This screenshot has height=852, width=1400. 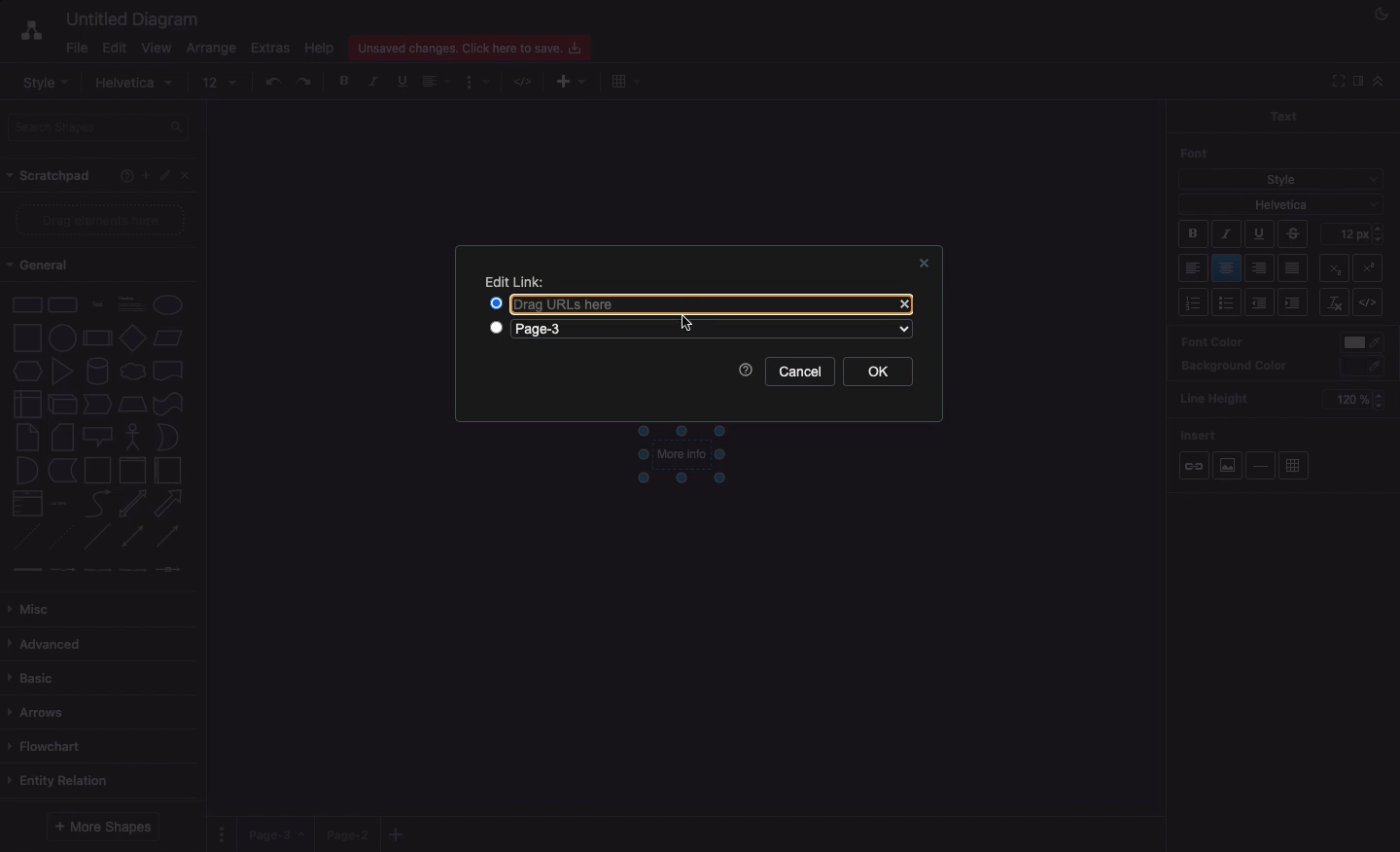 What do you see at coordinates (224, 834) in the screenshot?
I see `Options` at bounding box center [224, 834].